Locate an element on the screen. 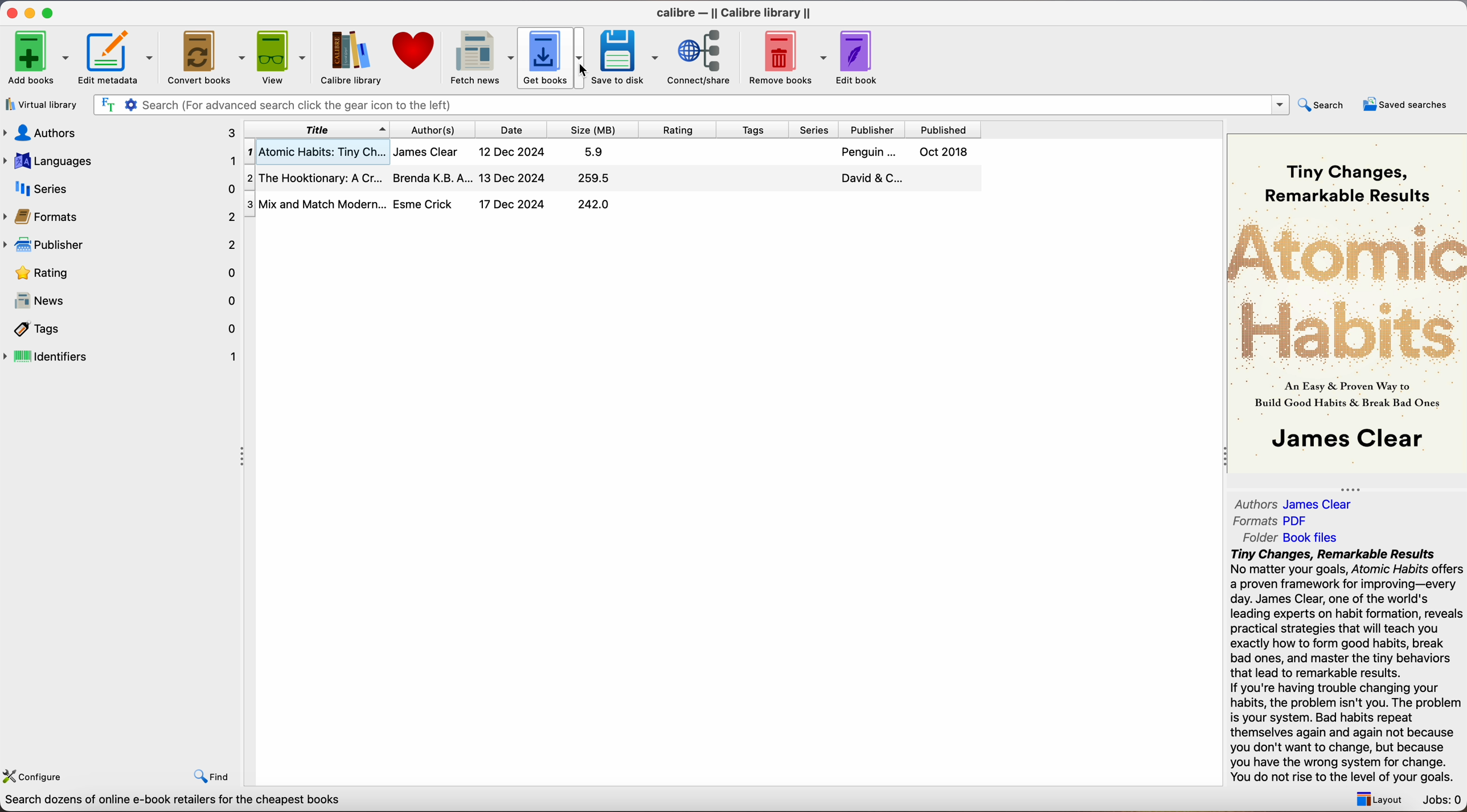 Image resolution: width=1467 pixels, height=812 pixels. edit book is located at coordinates (859, 58).